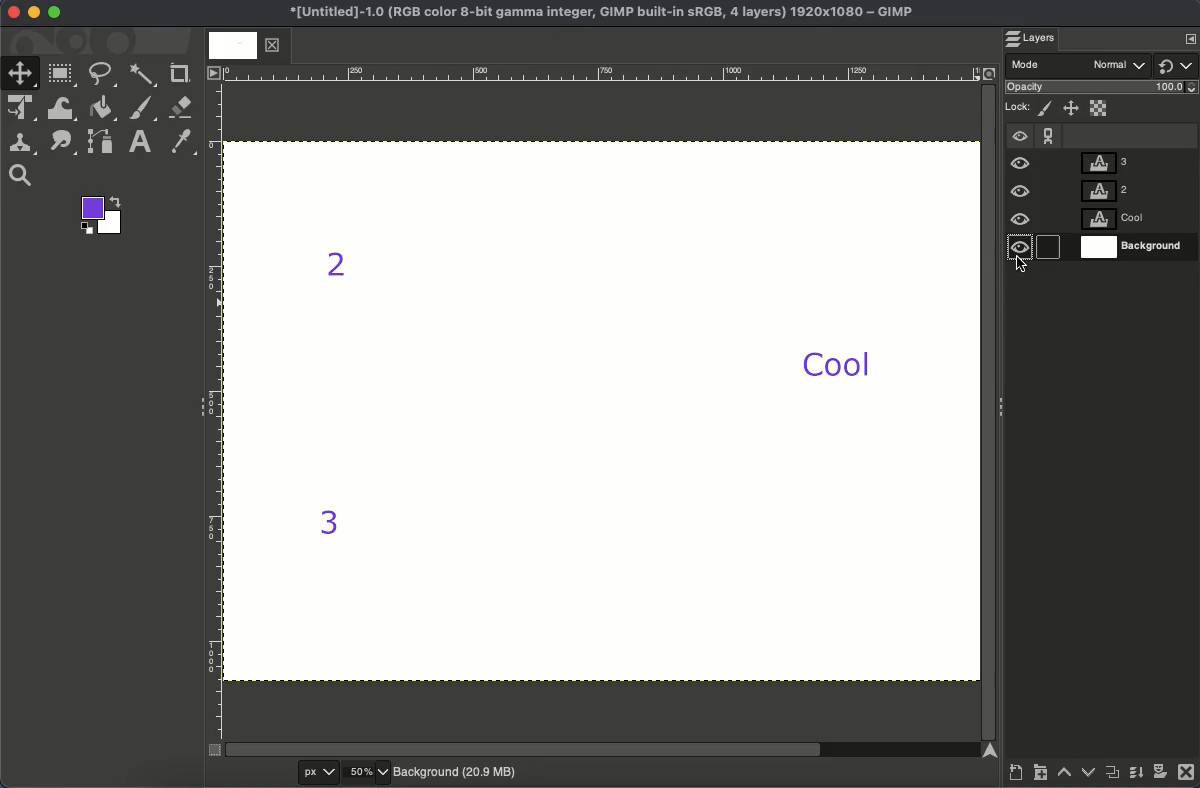  Describe the element at coordinates (1186, 775) in the screenshot. I see `Close` at that location.